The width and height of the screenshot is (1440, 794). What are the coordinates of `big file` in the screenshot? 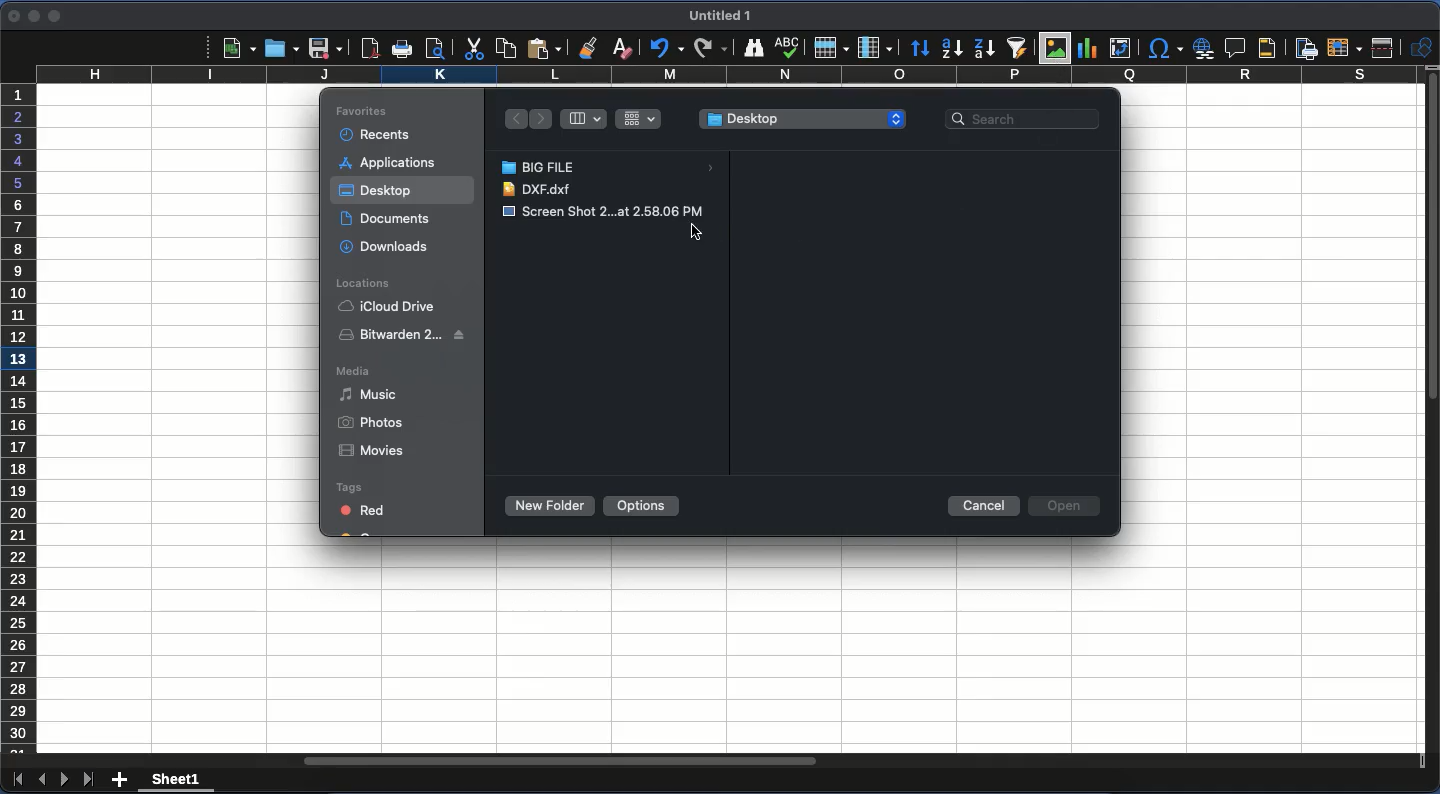 It's located at (613, 168).